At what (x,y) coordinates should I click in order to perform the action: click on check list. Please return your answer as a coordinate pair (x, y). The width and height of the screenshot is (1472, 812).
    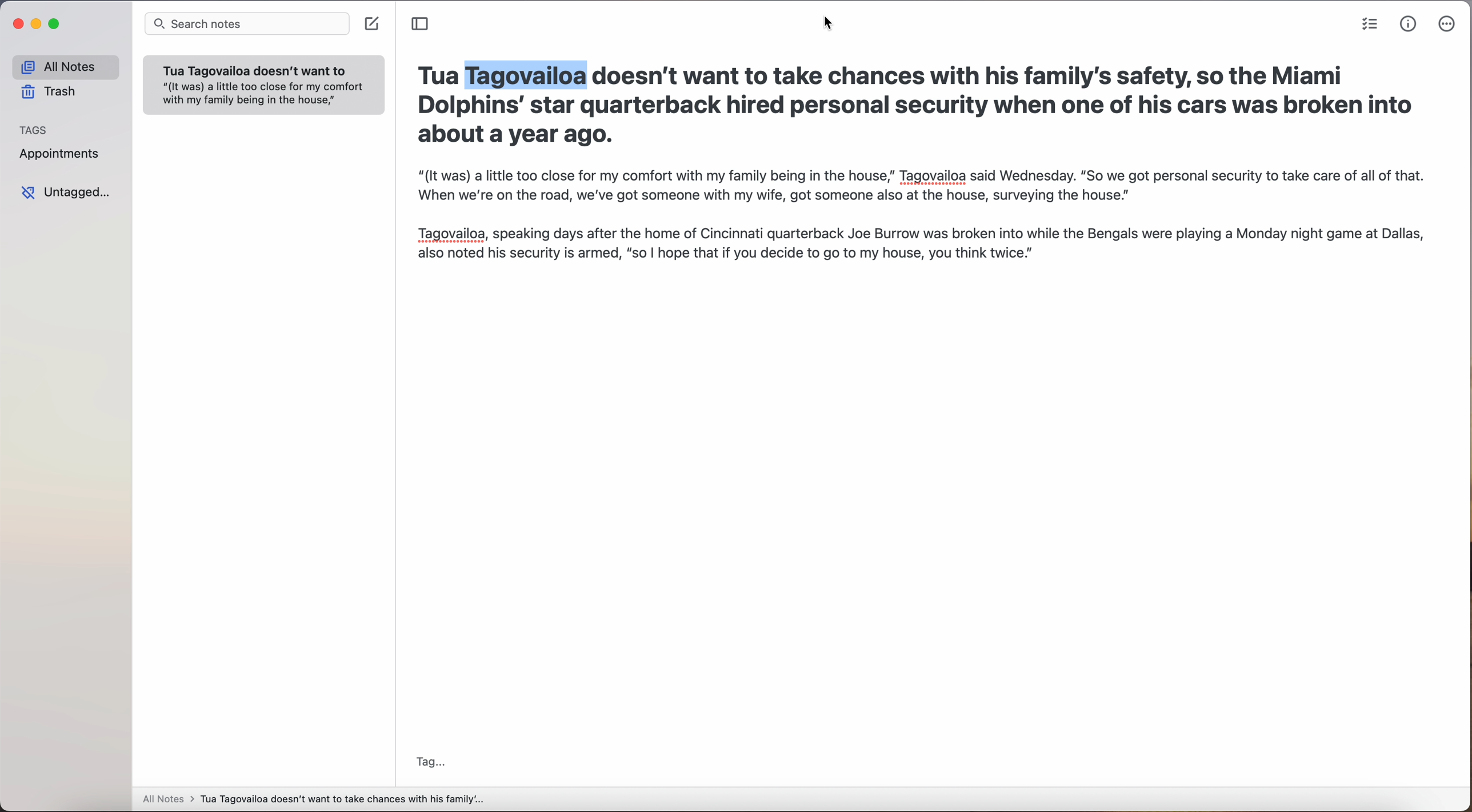
    Looking at the image, I should click on (1369, 24).